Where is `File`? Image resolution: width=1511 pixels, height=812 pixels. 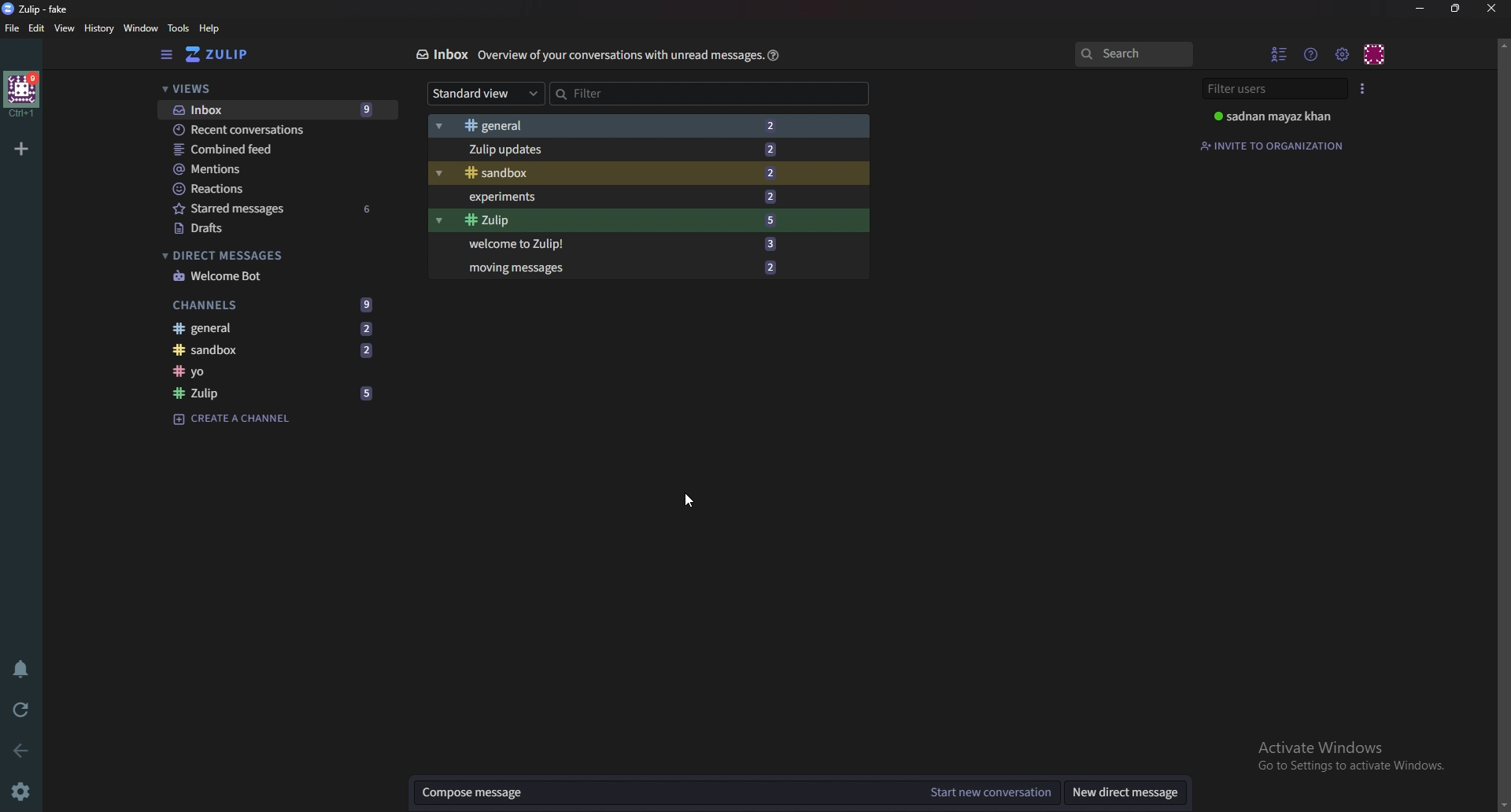
File is located at coordinates (13, 28).